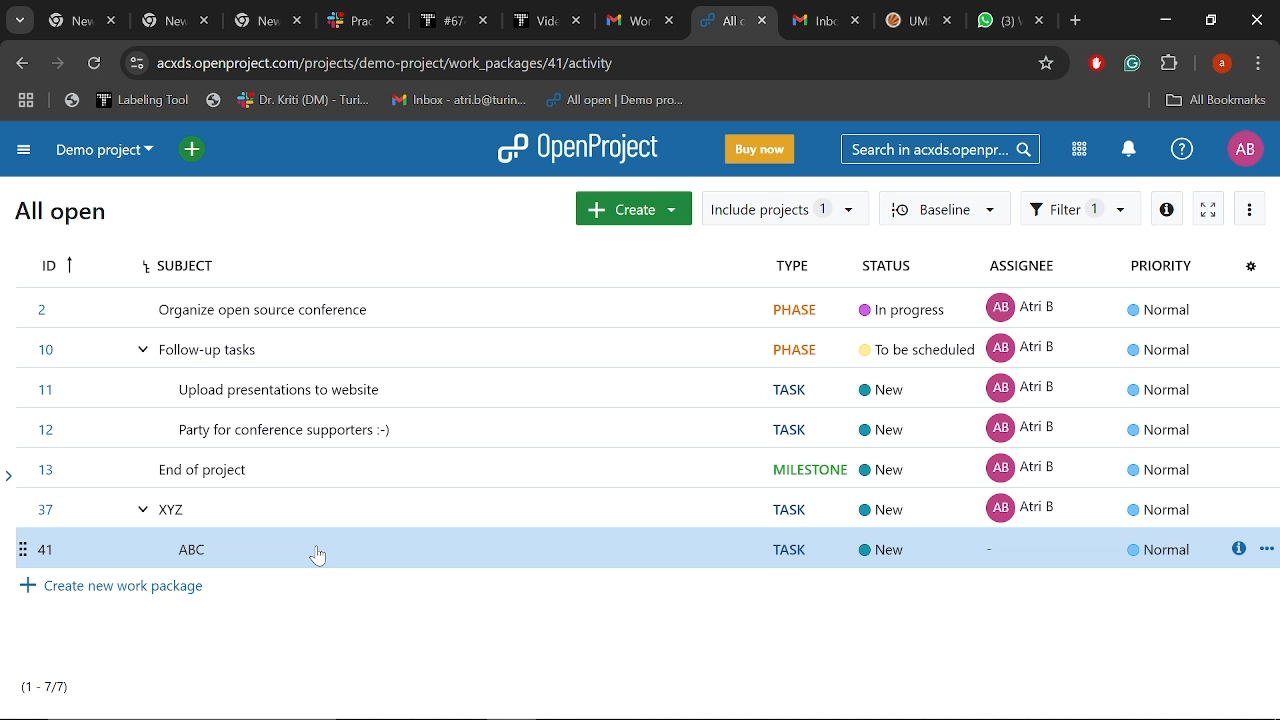  Describe the element at coordinates (18, 21) in the screenshot. I see `Search tabs` at that location.